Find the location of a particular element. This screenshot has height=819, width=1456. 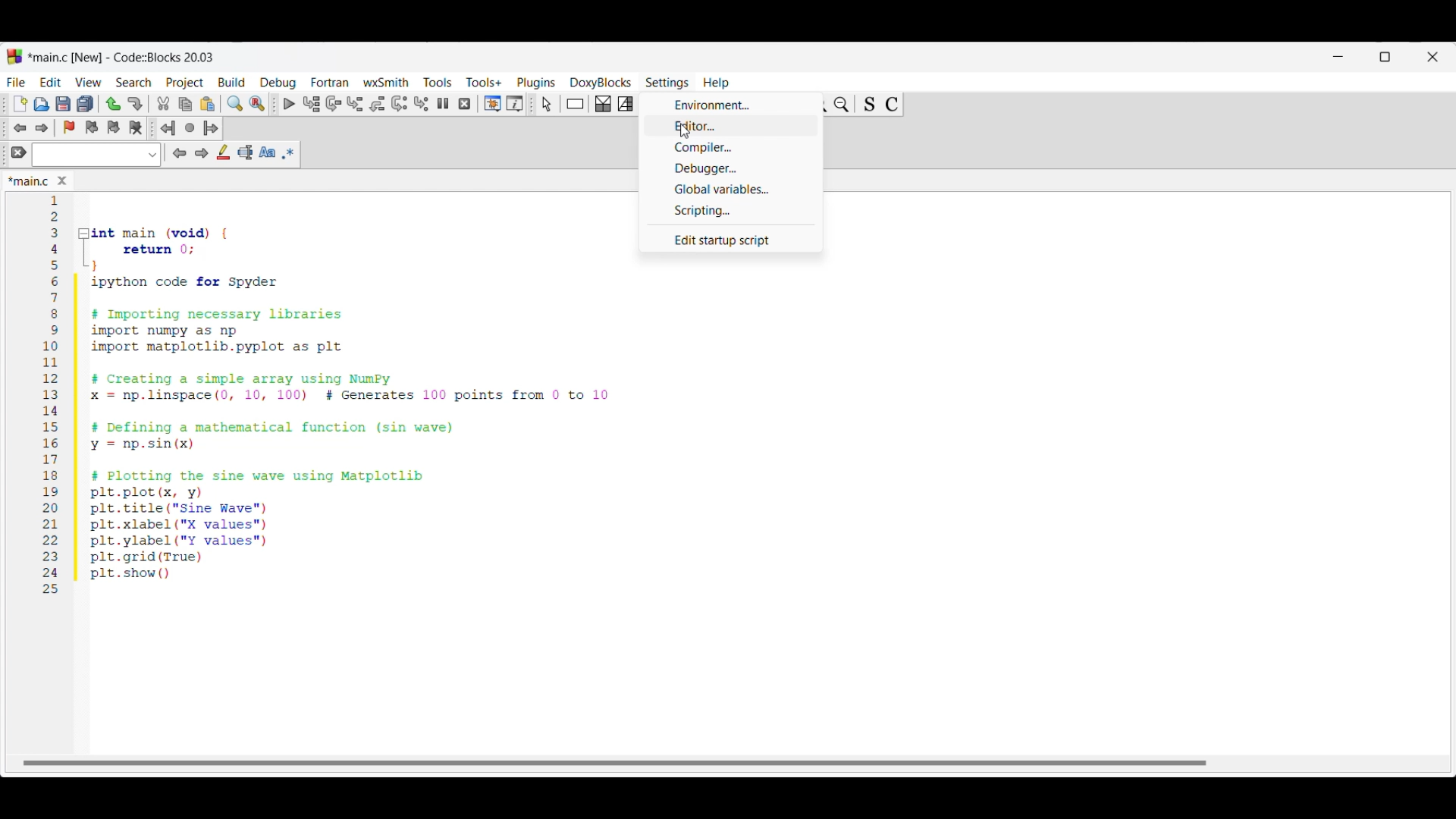

Toggle source is located at coordinates (869, 105).